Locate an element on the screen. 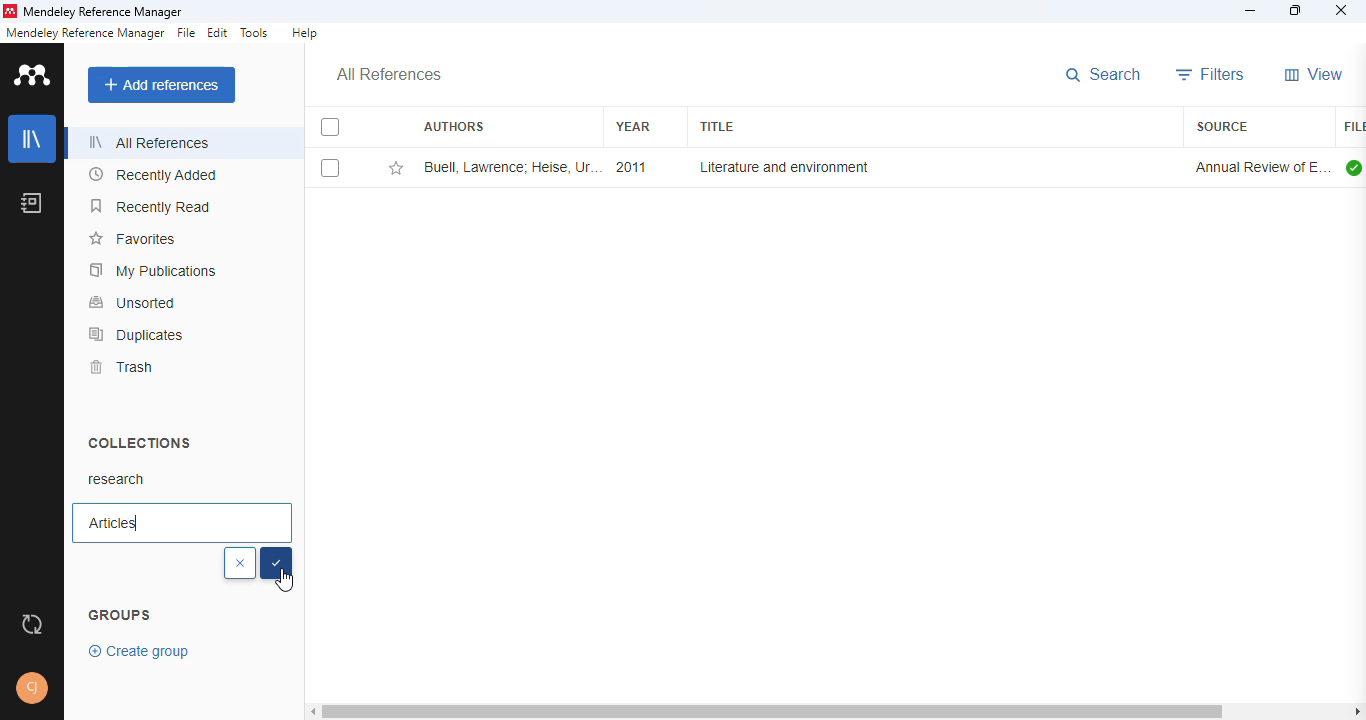  filters is located at coordinates (1211, 74).